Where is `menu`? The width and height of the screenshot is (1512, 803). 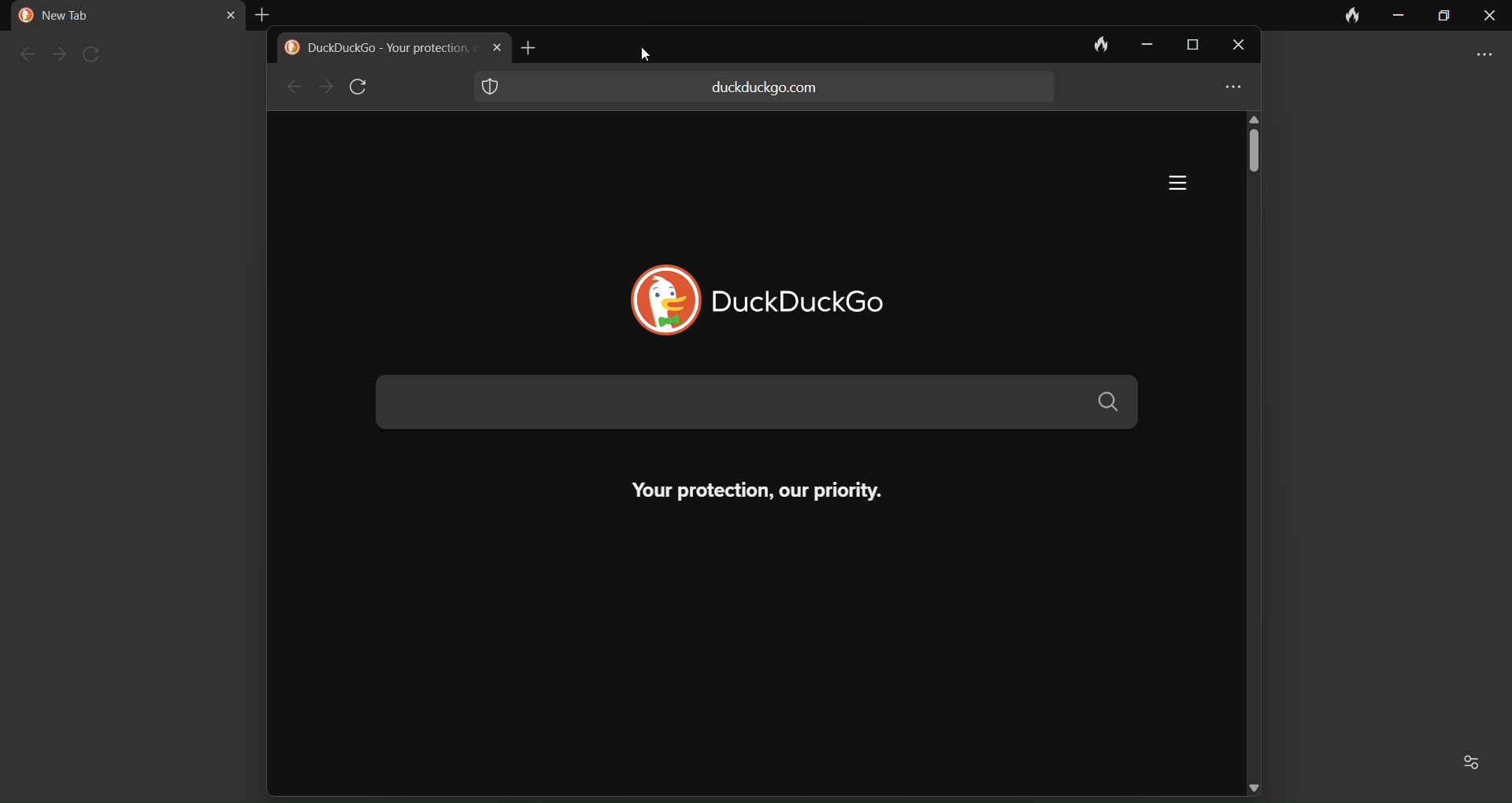
menu is located at coordinates (1228, 89).